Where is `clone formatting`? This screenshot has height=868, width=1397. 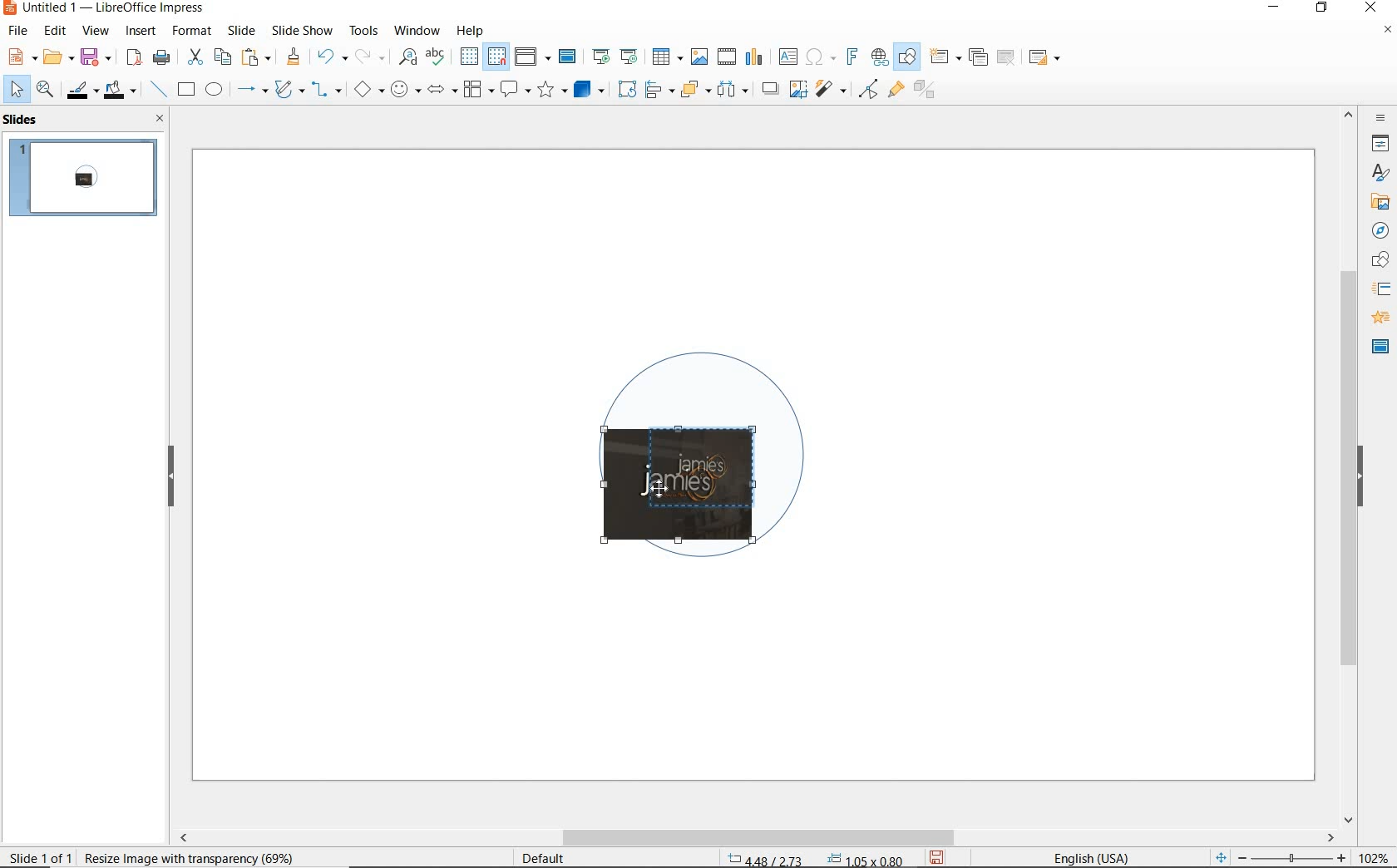
clone formatting is located at coordinates (294, 57).